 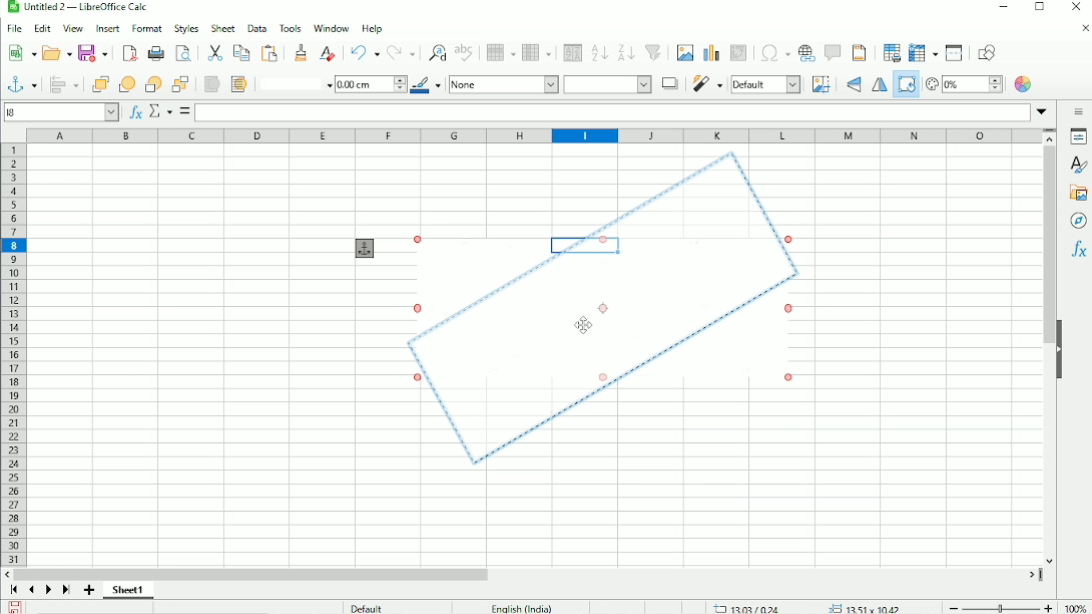 I want to click on Flip vertically, so click(x=854, y=85).